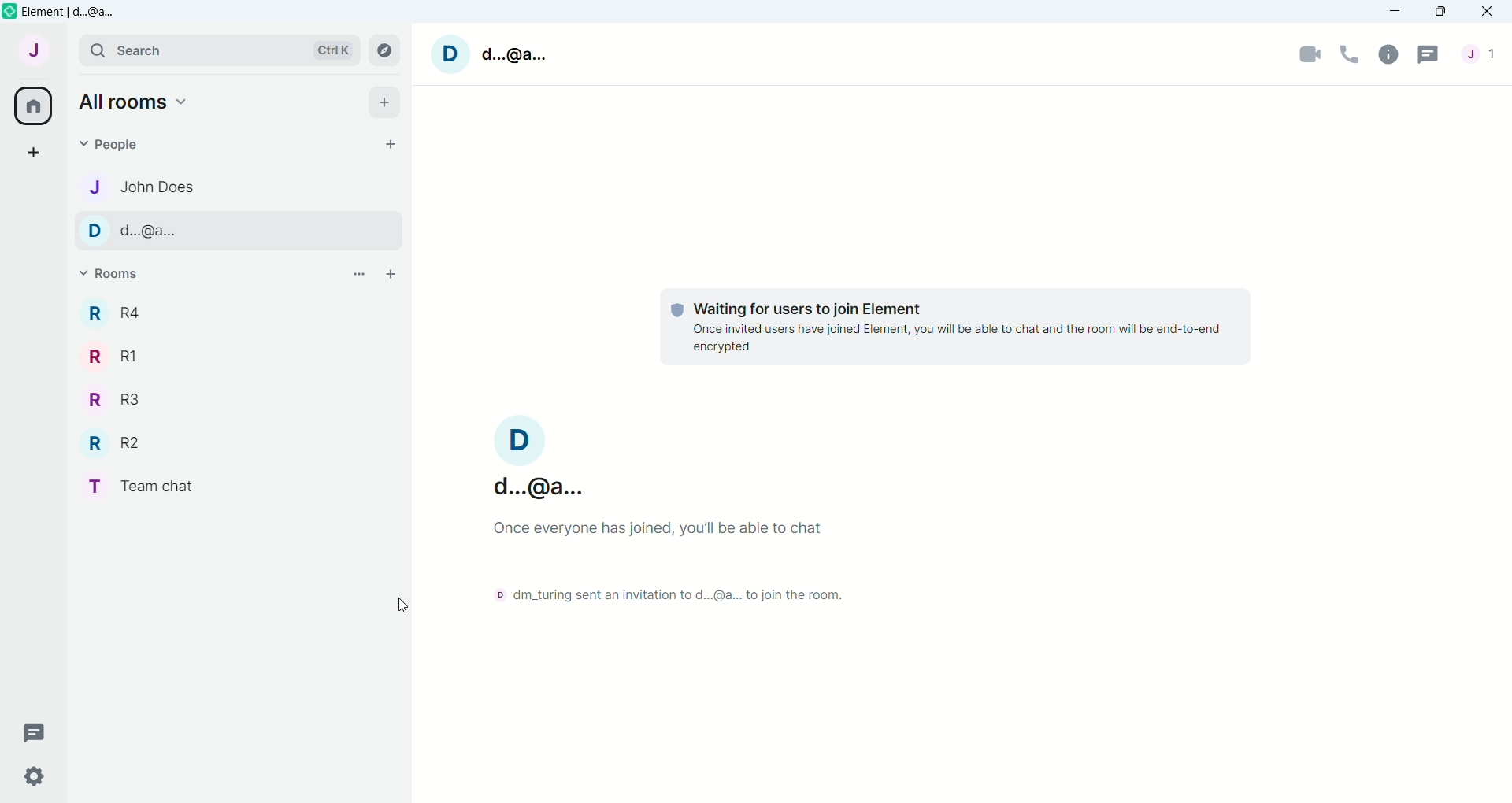 The height and width of the screenshot is (803, 1512). Describe the element at coordinates (408, 606) in the screenshot. I see `Mouse cursor` at that location.